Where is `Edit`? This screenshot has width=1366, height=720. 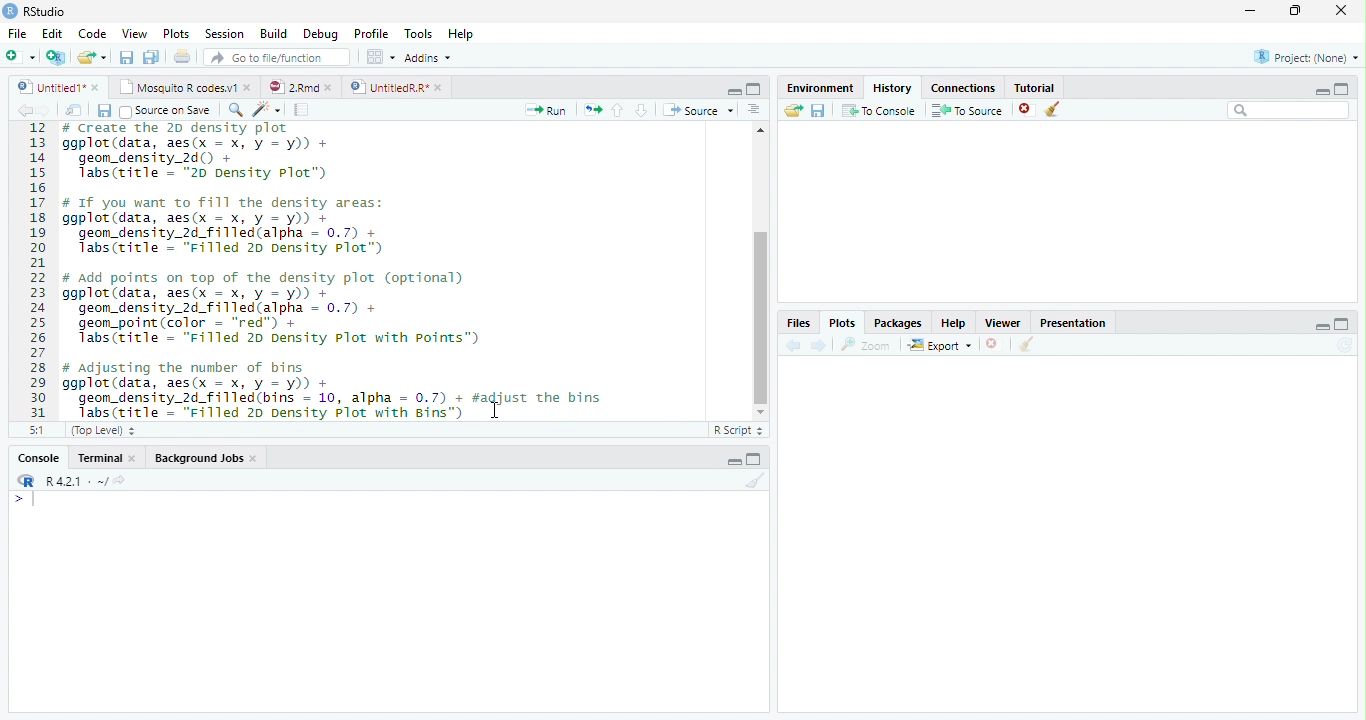 Edit is located at coordinates (52, 34).